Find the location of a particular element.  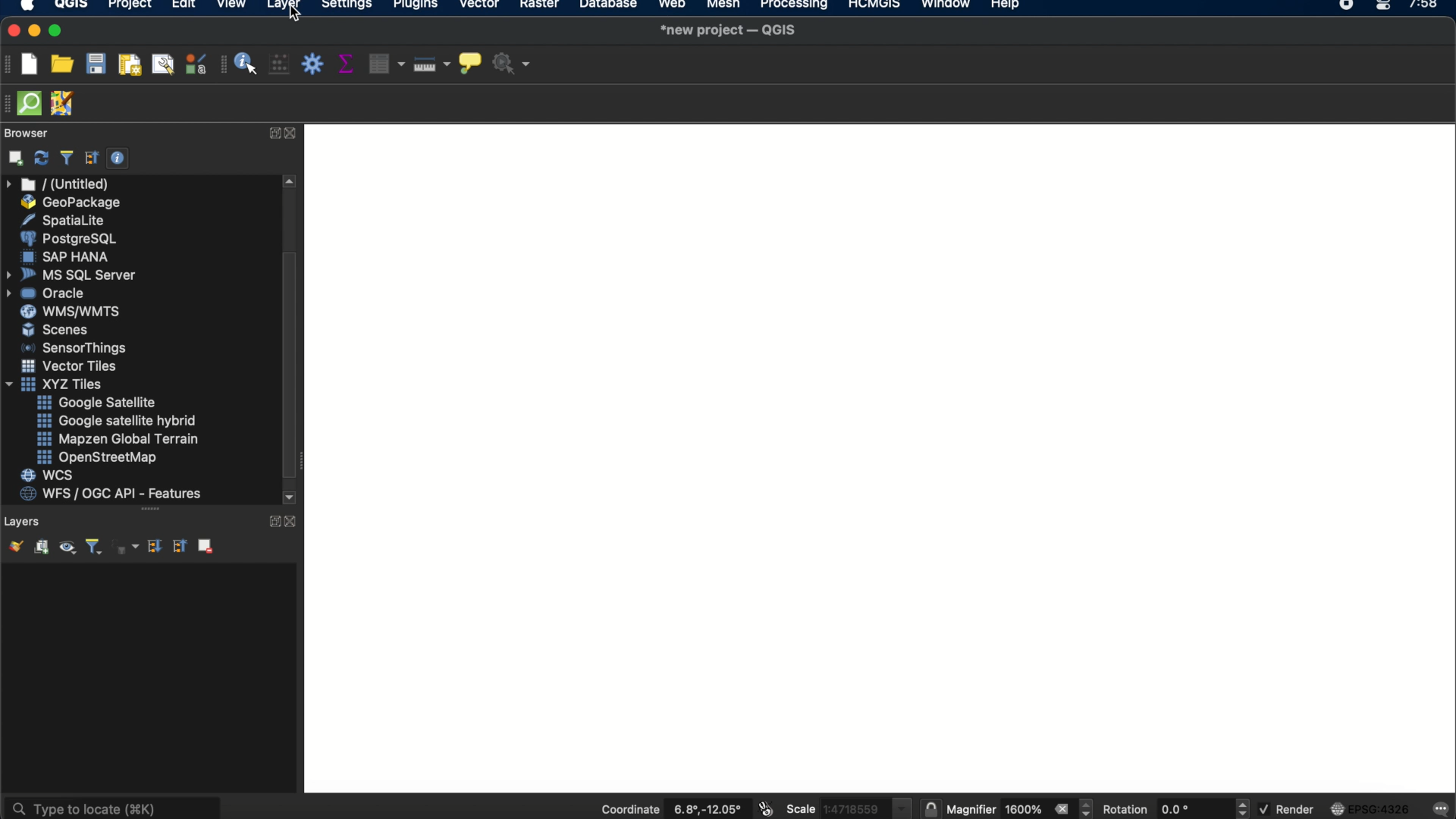

hidden toolbar is located at coordinates (9, 102).